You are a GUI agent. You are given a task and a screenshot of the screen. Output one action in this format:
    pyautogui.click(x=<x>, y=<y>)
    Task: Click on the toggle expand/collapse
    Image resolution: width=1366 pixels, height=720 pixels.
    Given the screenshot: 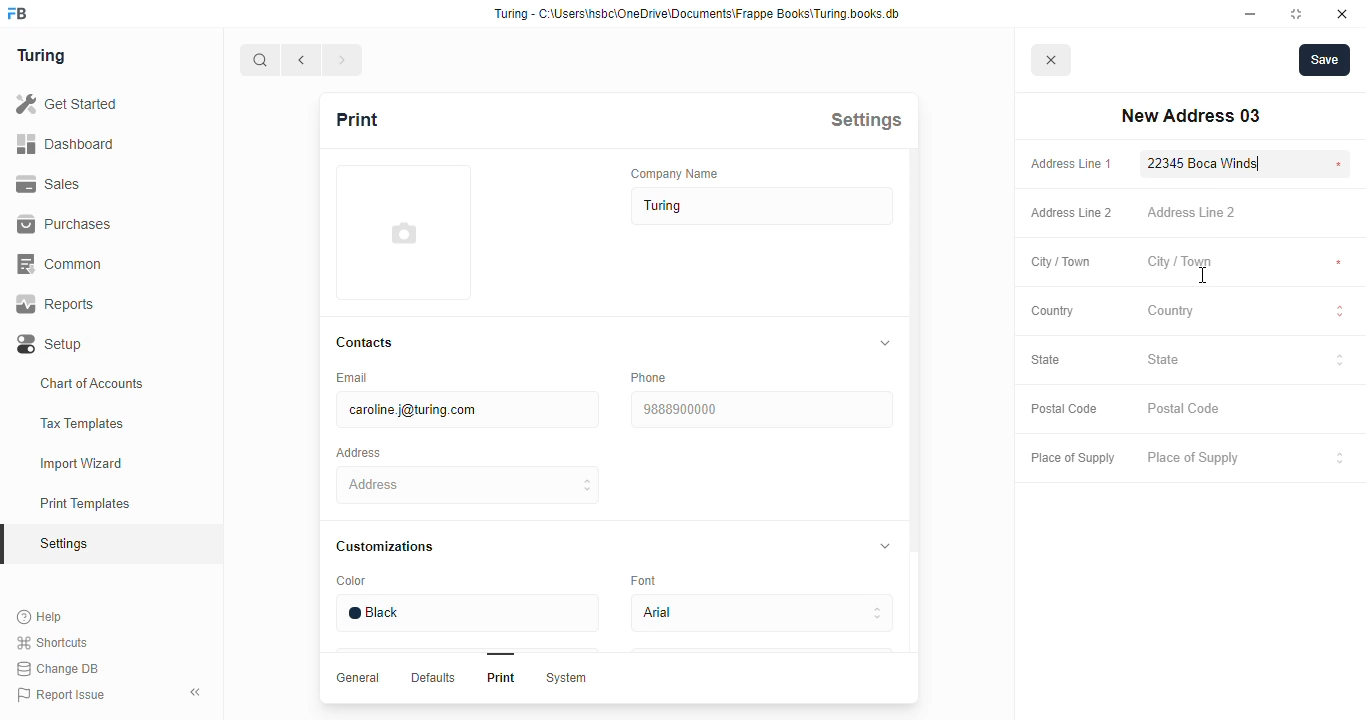 What is the action you would take?
    pyautogui.click(x=881, y=343)
    